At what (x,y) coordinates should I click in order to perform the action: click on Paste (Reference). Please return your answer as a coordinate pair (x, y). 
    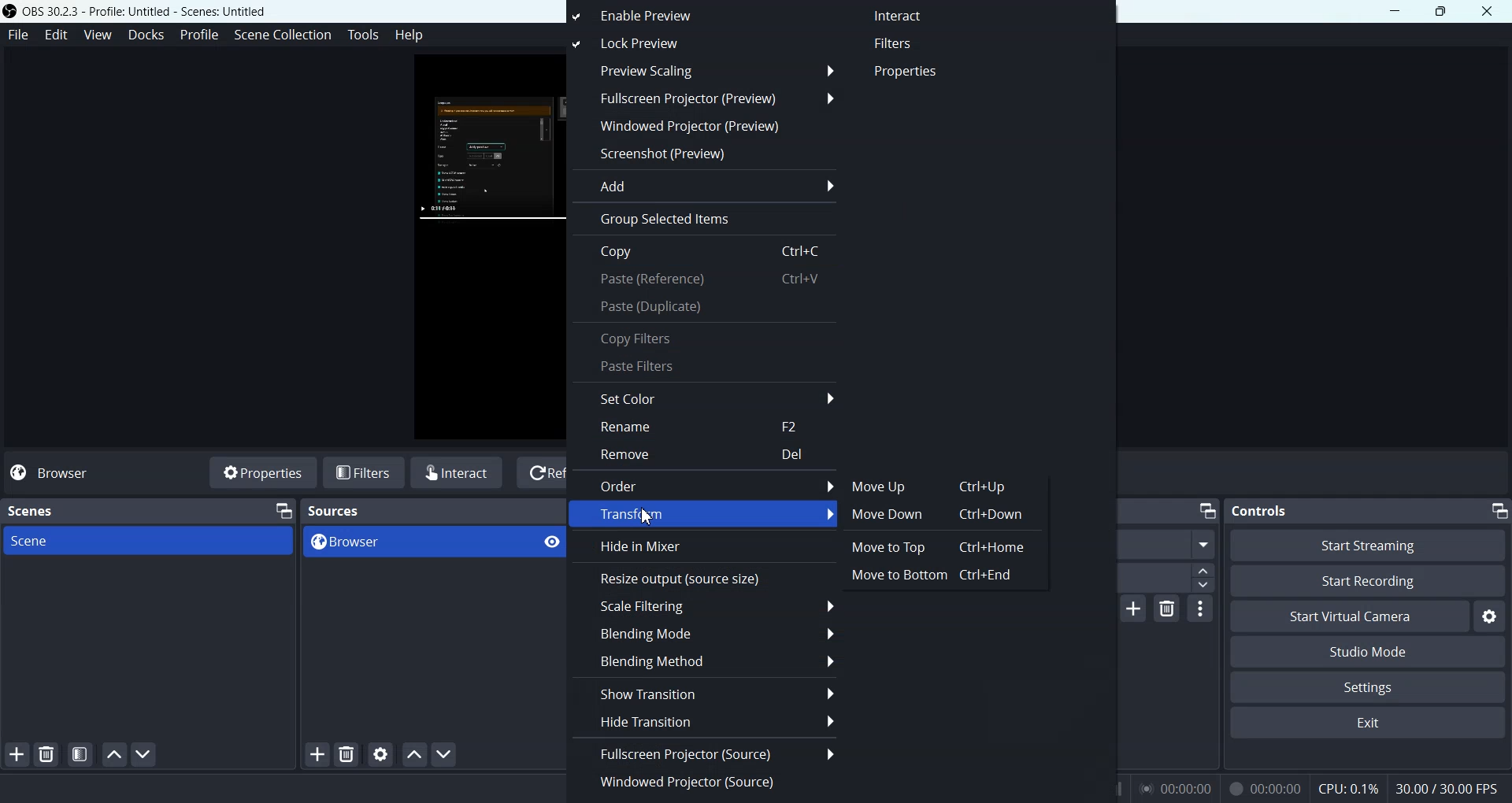
    Looking at the image, I should click on (705, 280).